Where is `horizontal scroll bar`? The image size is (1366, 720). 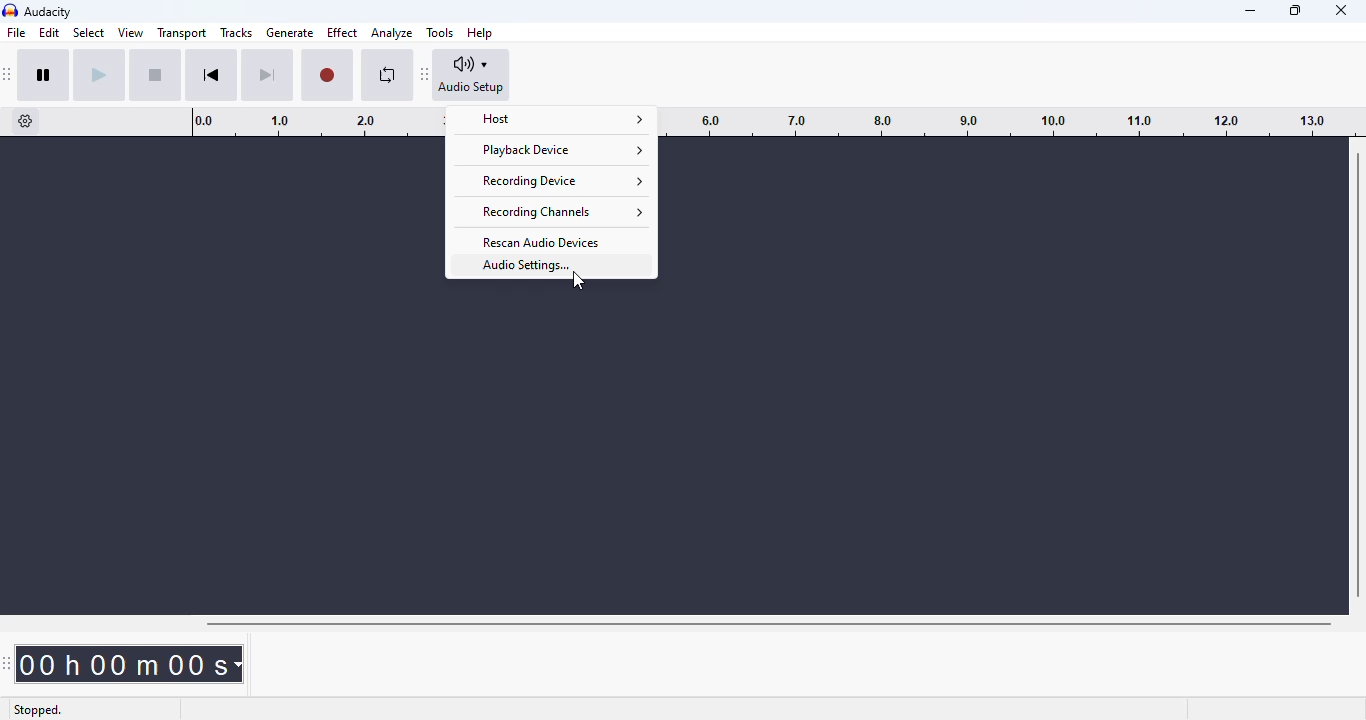 horizontal scroll bar is located at coordinates (768, 624).